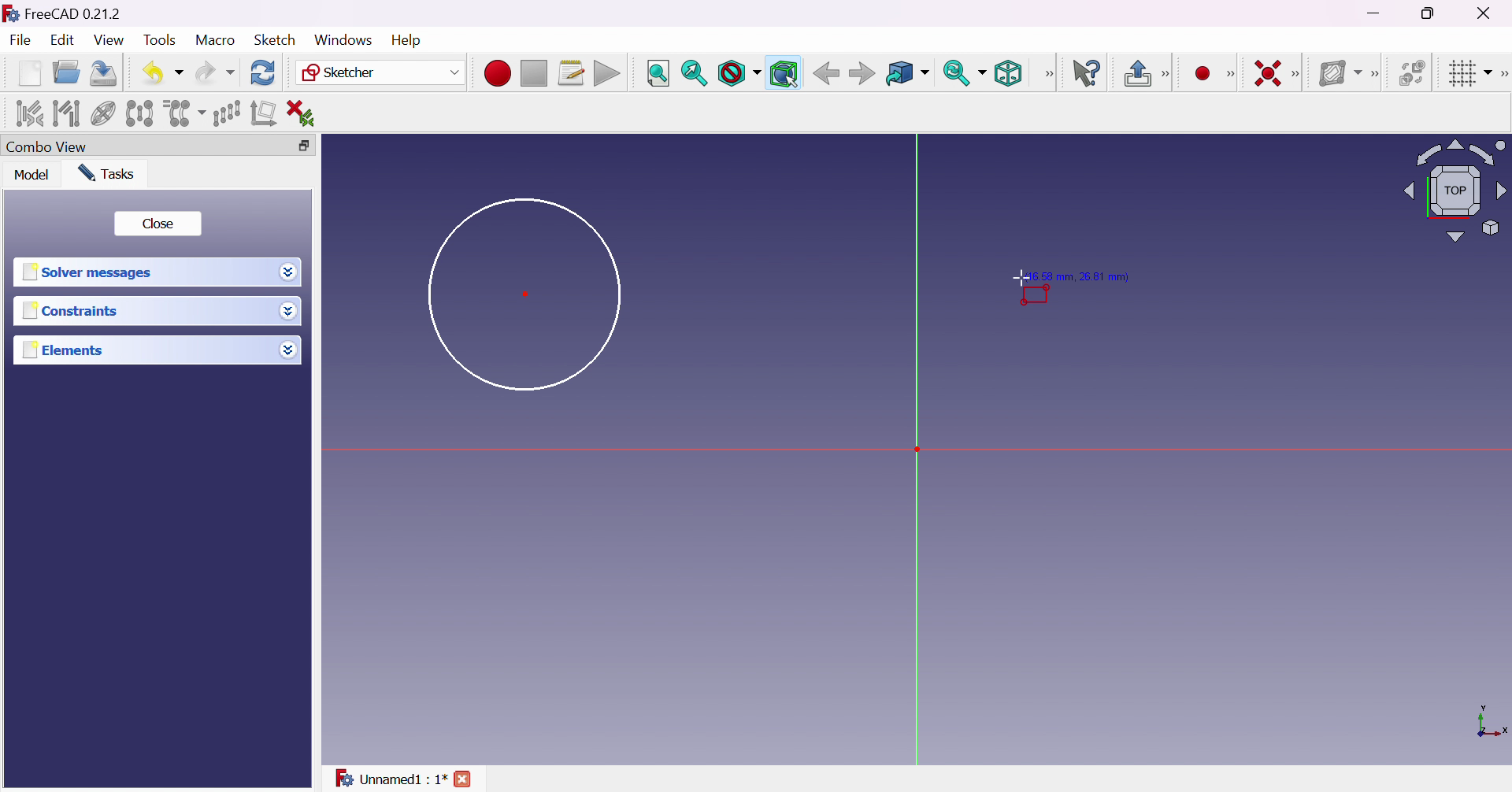 Image resolution: width=1512 pixels, height=792 pixels. What do you see at coordinates (1430, 13) in the screenshot?
I see `Restore down` at bounding box center [1430, 13].